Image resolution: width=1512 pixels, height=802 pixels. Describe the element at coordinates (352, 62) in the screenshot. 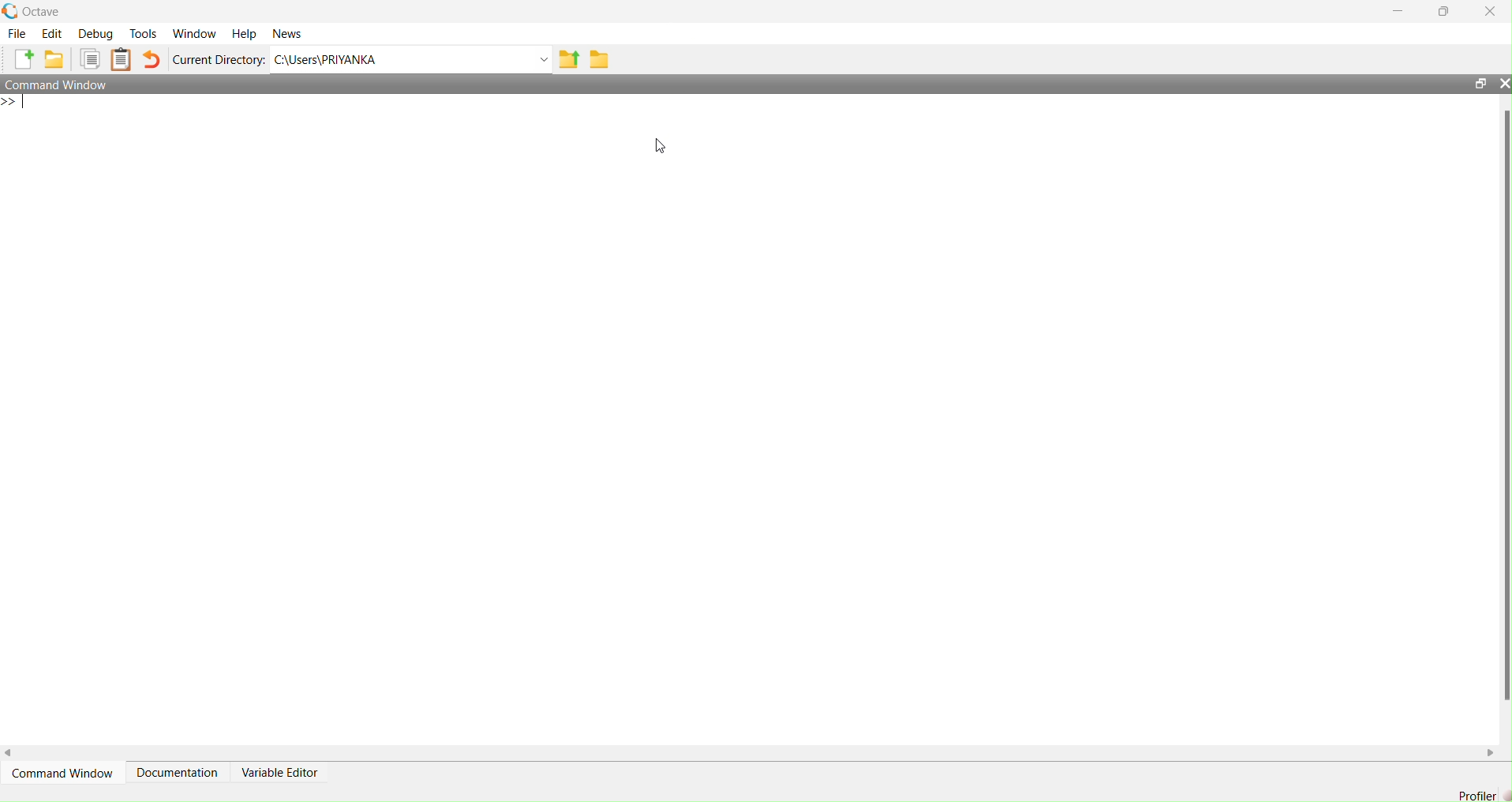

I see `C:\Users\PRIYANKA` at that location.